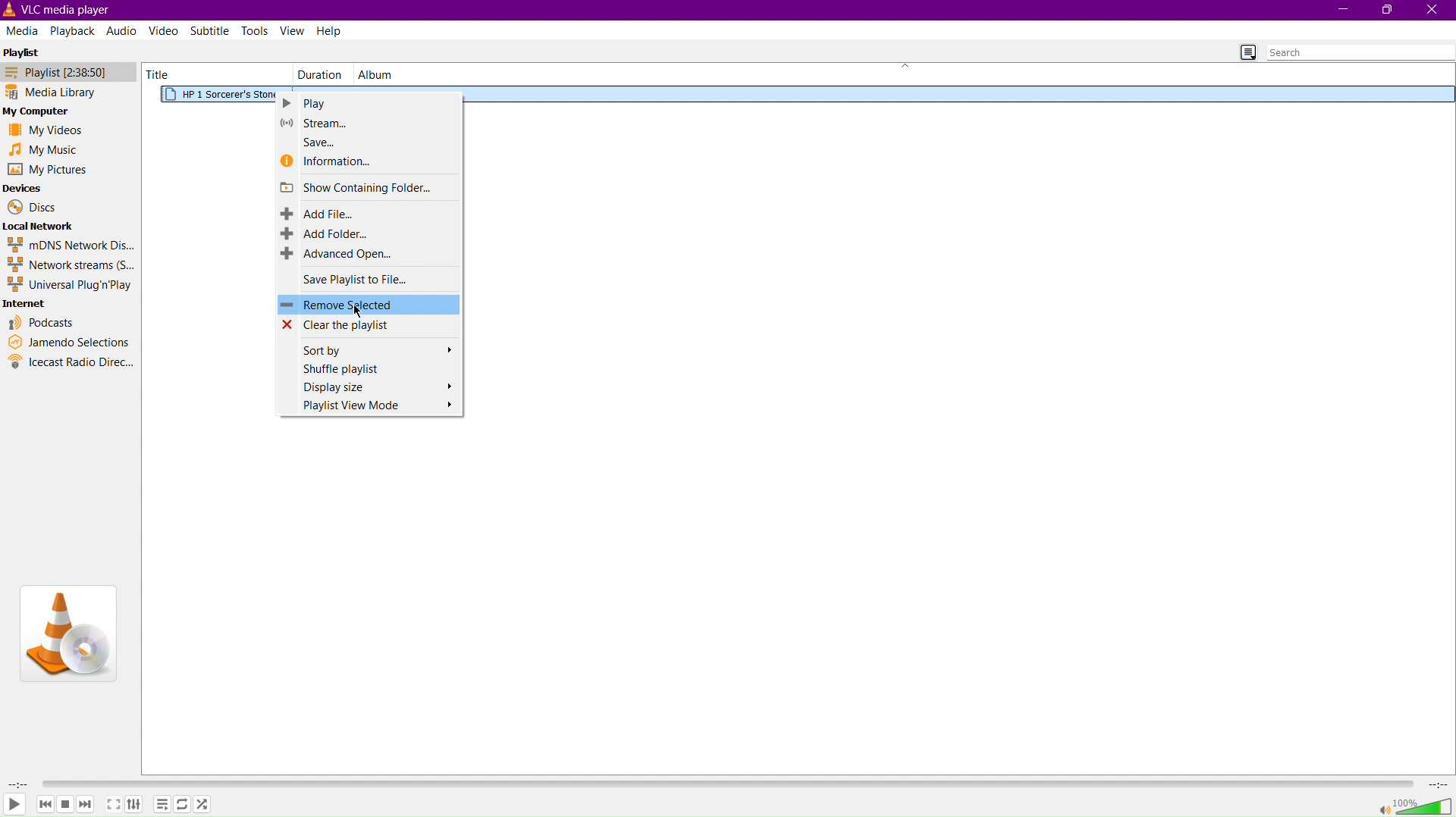  I want to click on mDNS Network, so click(69, 244).